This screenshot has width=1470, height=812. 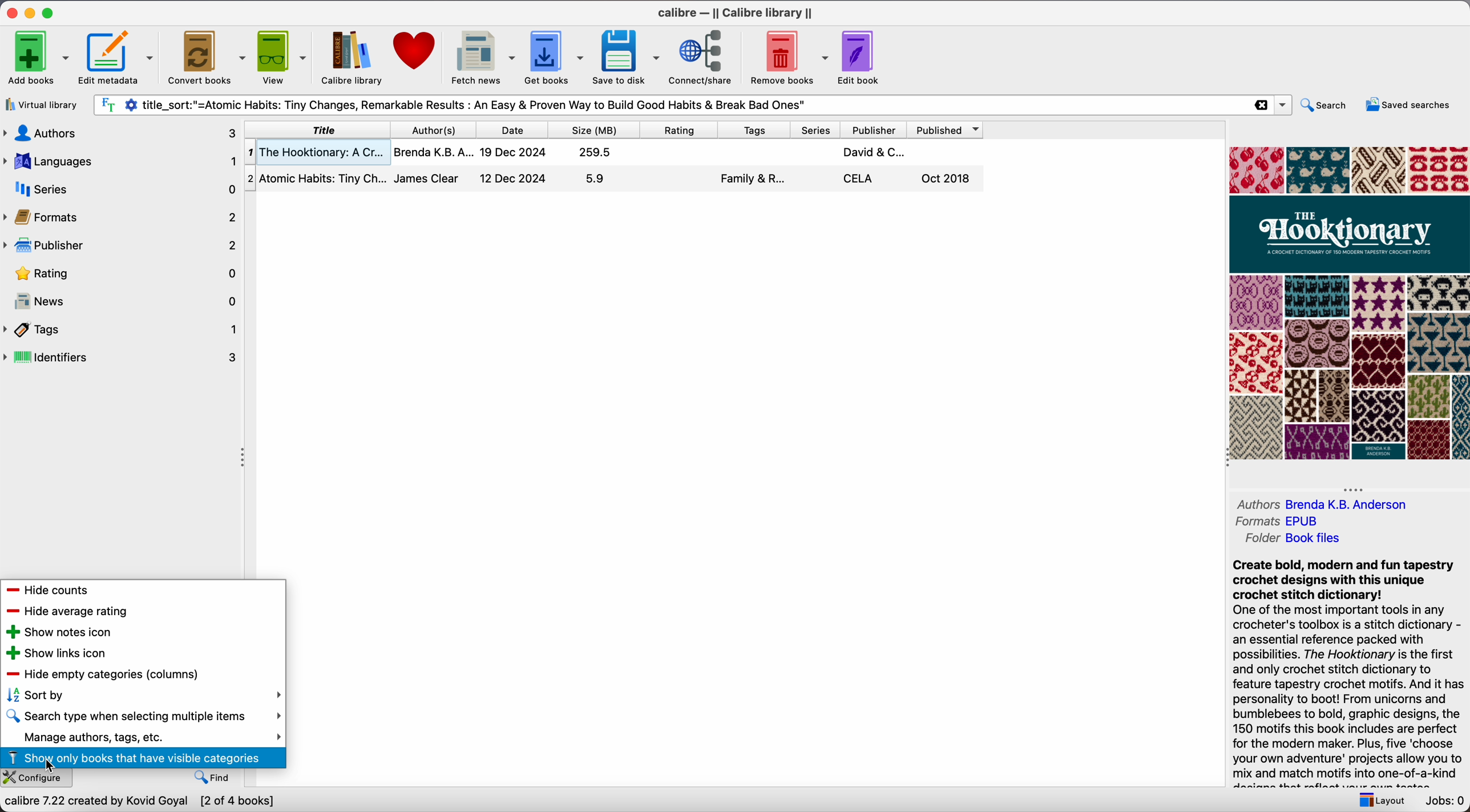 I want to click on search type, so click(x=142, y=717).